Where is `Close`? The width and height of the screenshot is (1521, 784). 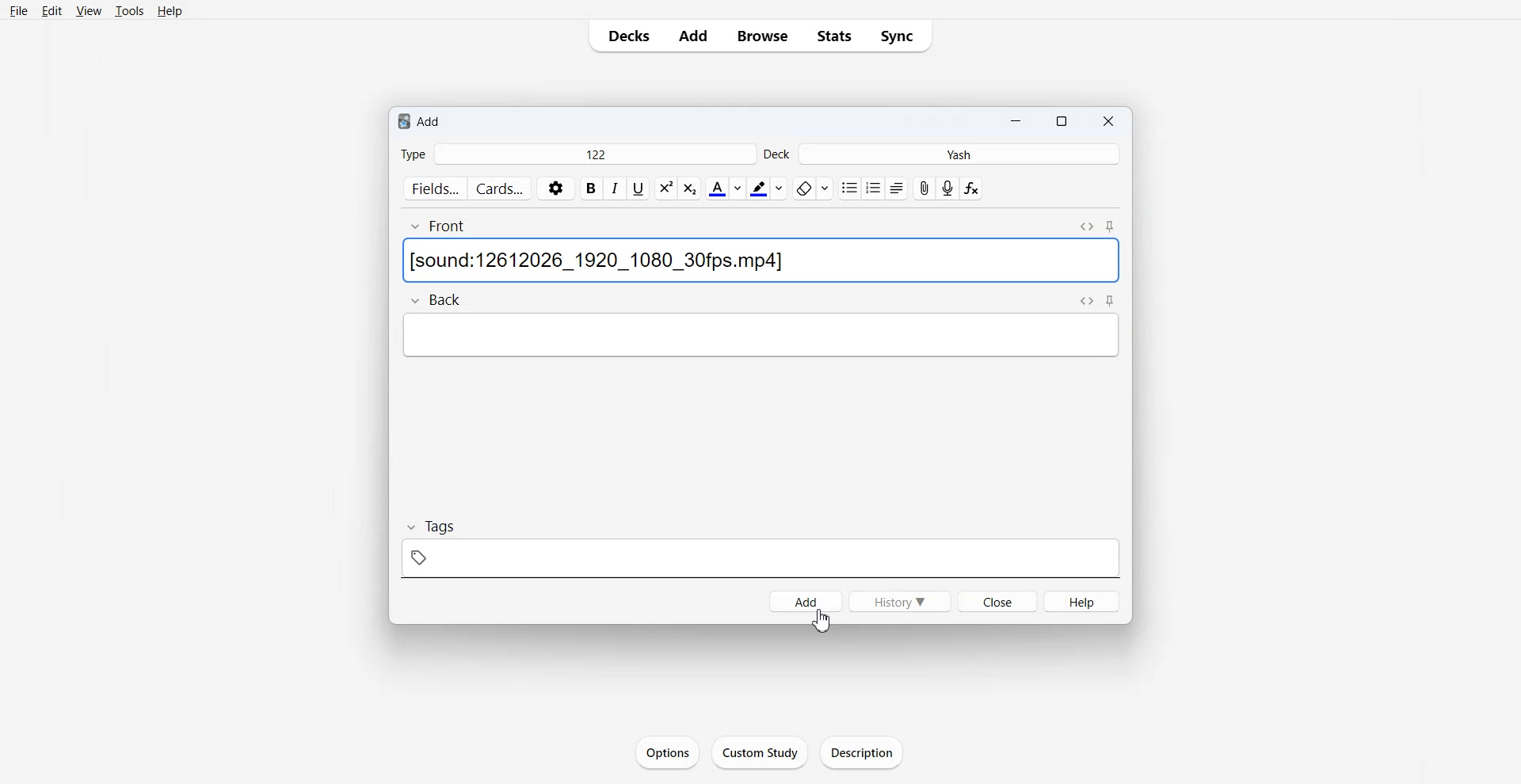
Close is located at coordinates (997, 599).